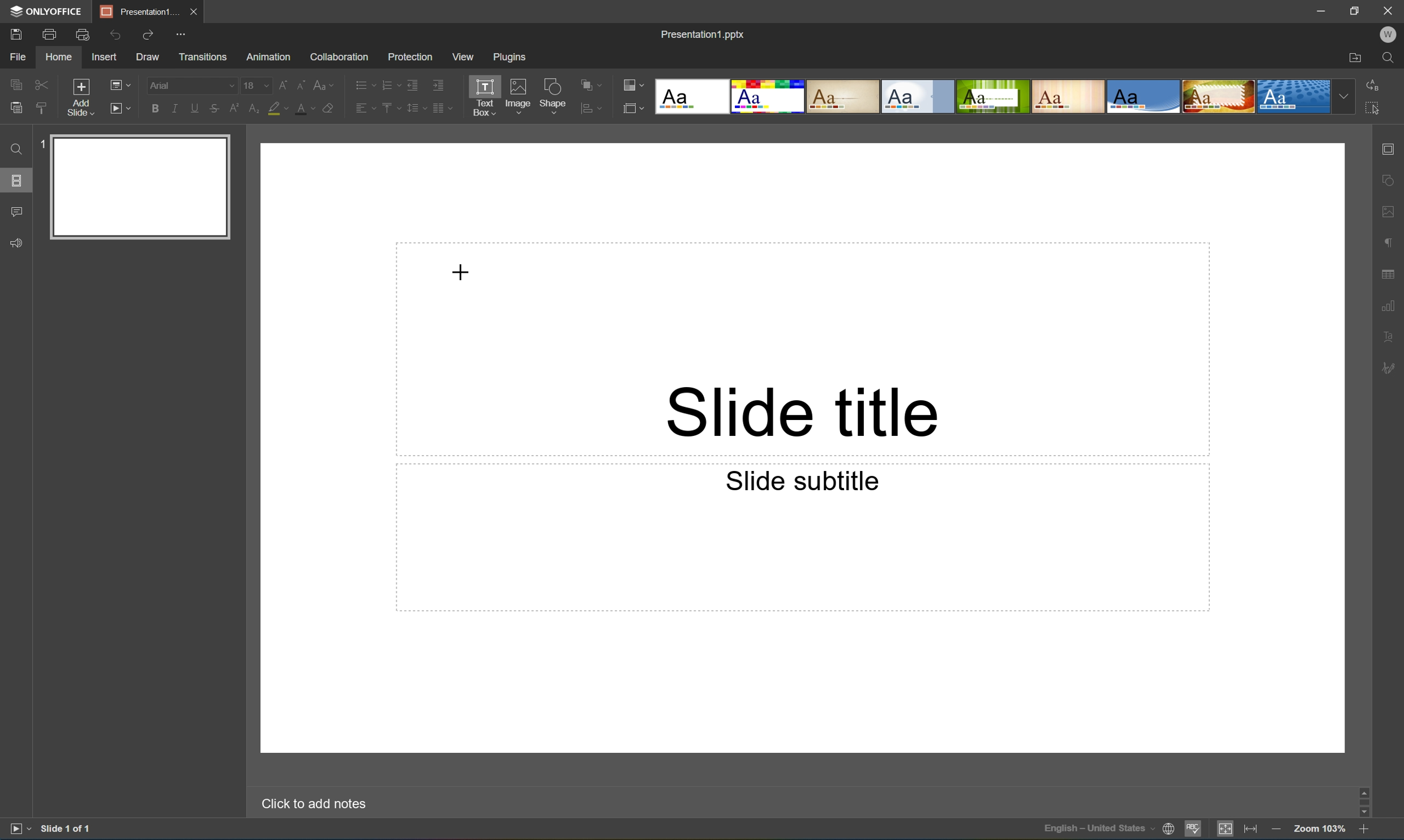 The height and width of the screenshot is (840, 1404). Describe the element at coordinates (801, 412) in the screenshot. I see `Slide title` at that location.